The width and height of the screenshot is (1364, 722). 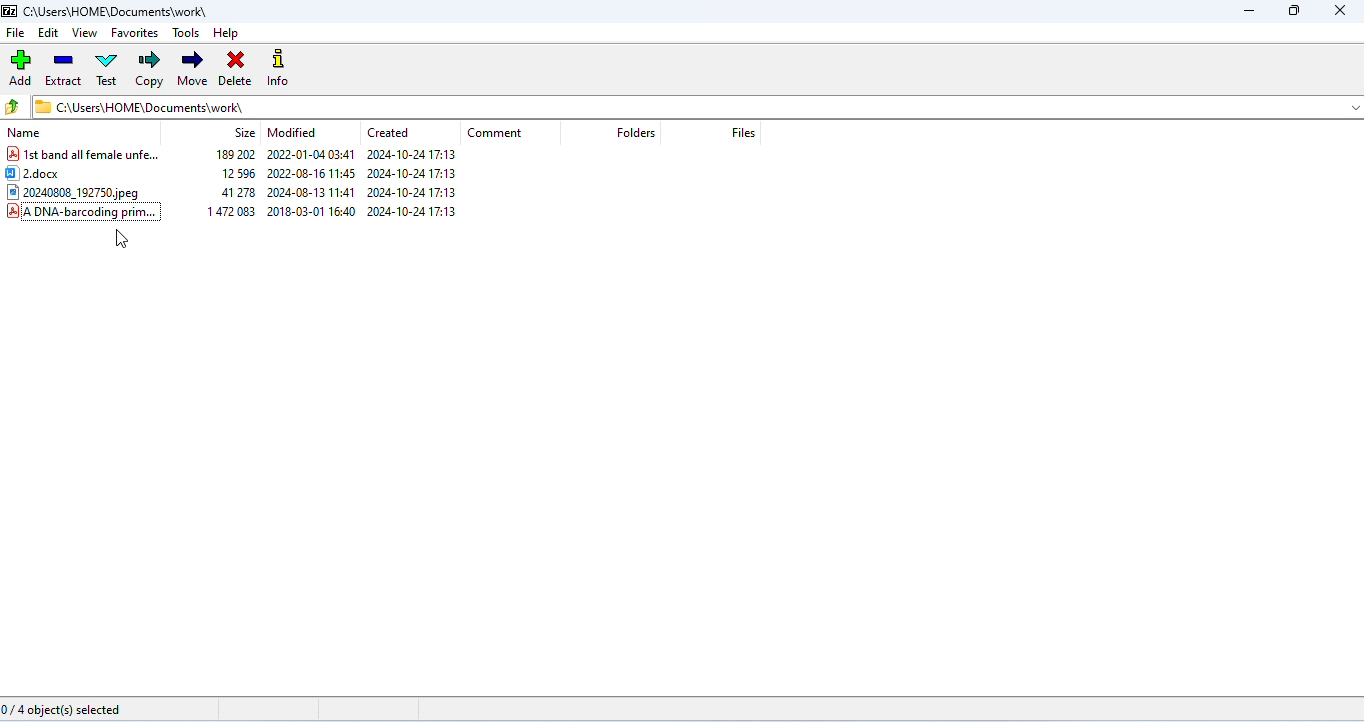 What do you see at coordinates (226, 34) in the screenshot?
I see `help` at bounding box center [226, 34].